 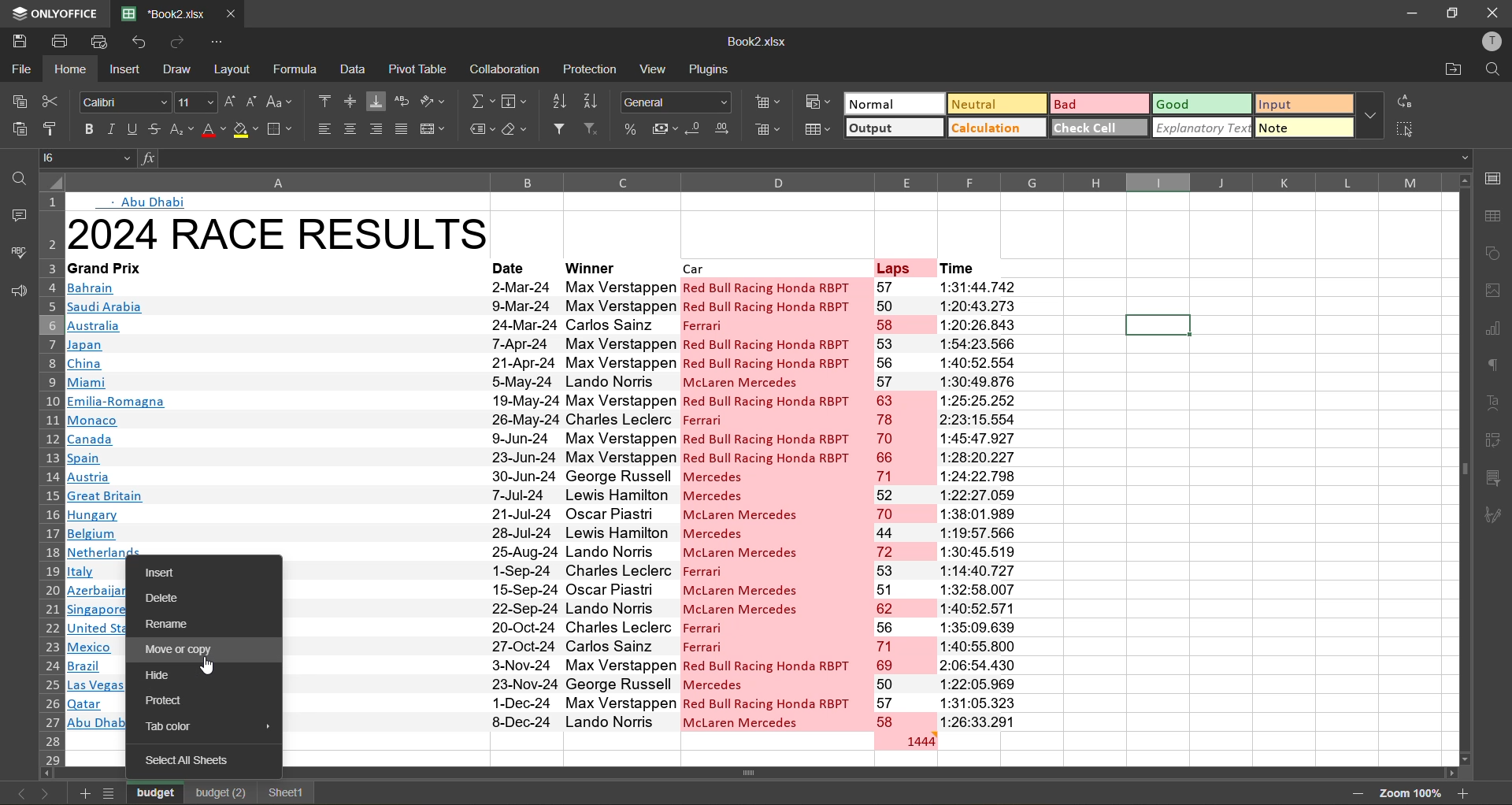 What do you see at coordinates (354, 70) in the screenshot?
I see `data` at bounding box center [354, 70].